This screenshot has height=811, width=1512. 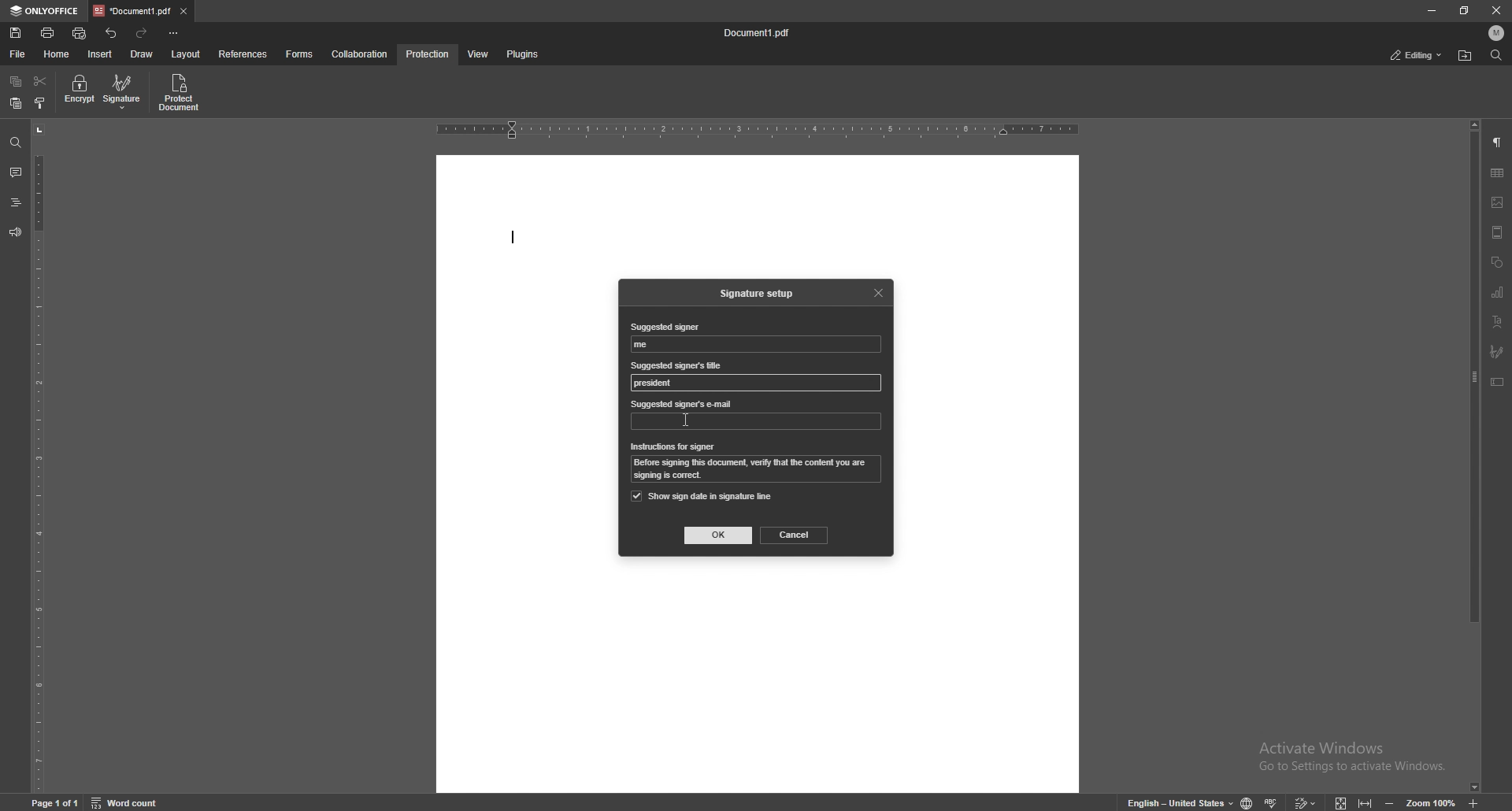 I want to click on references, so click(x=245, y=54).